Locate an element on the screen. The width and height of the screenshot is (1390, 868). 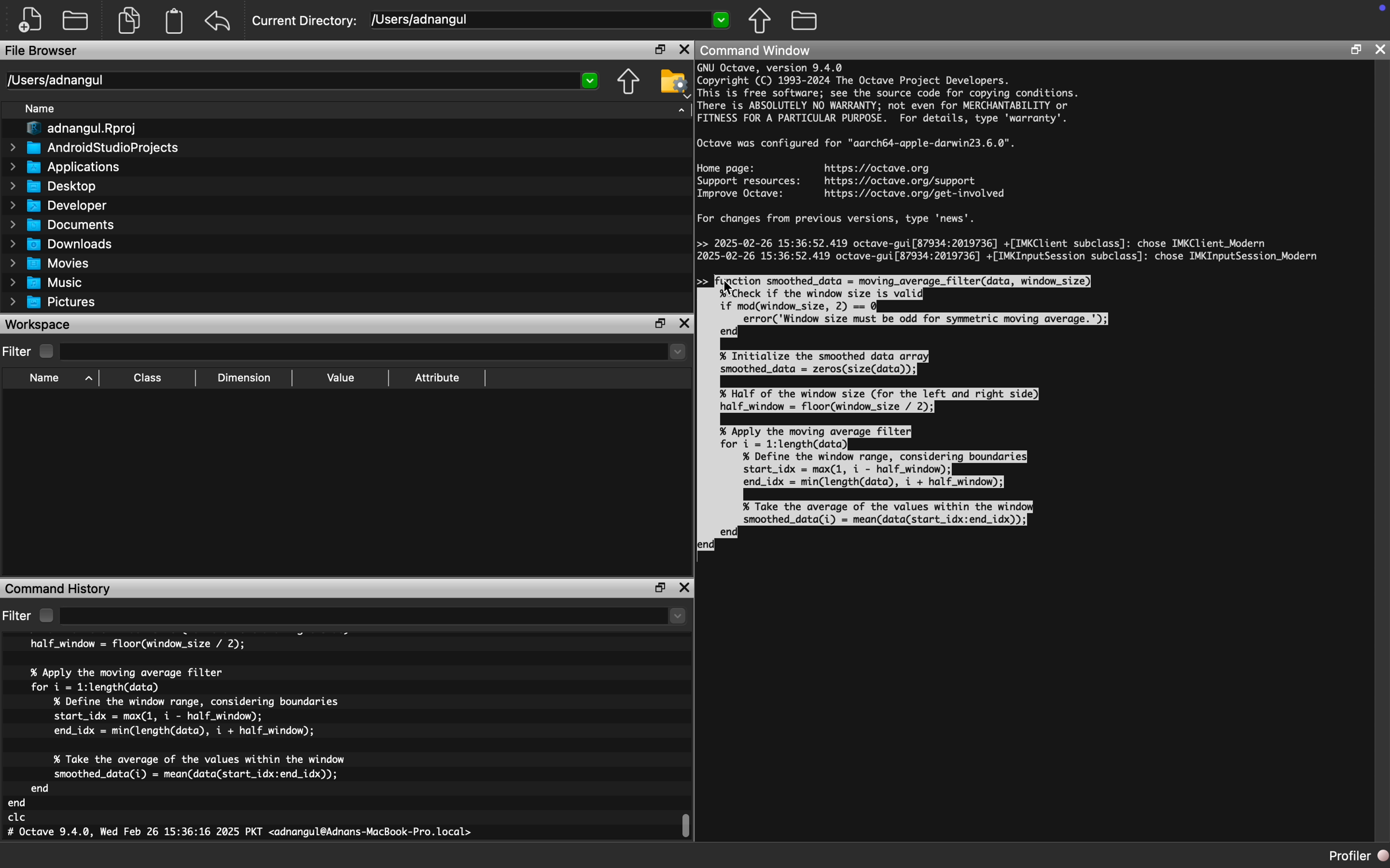
New File is located at coordinates (31, 20).